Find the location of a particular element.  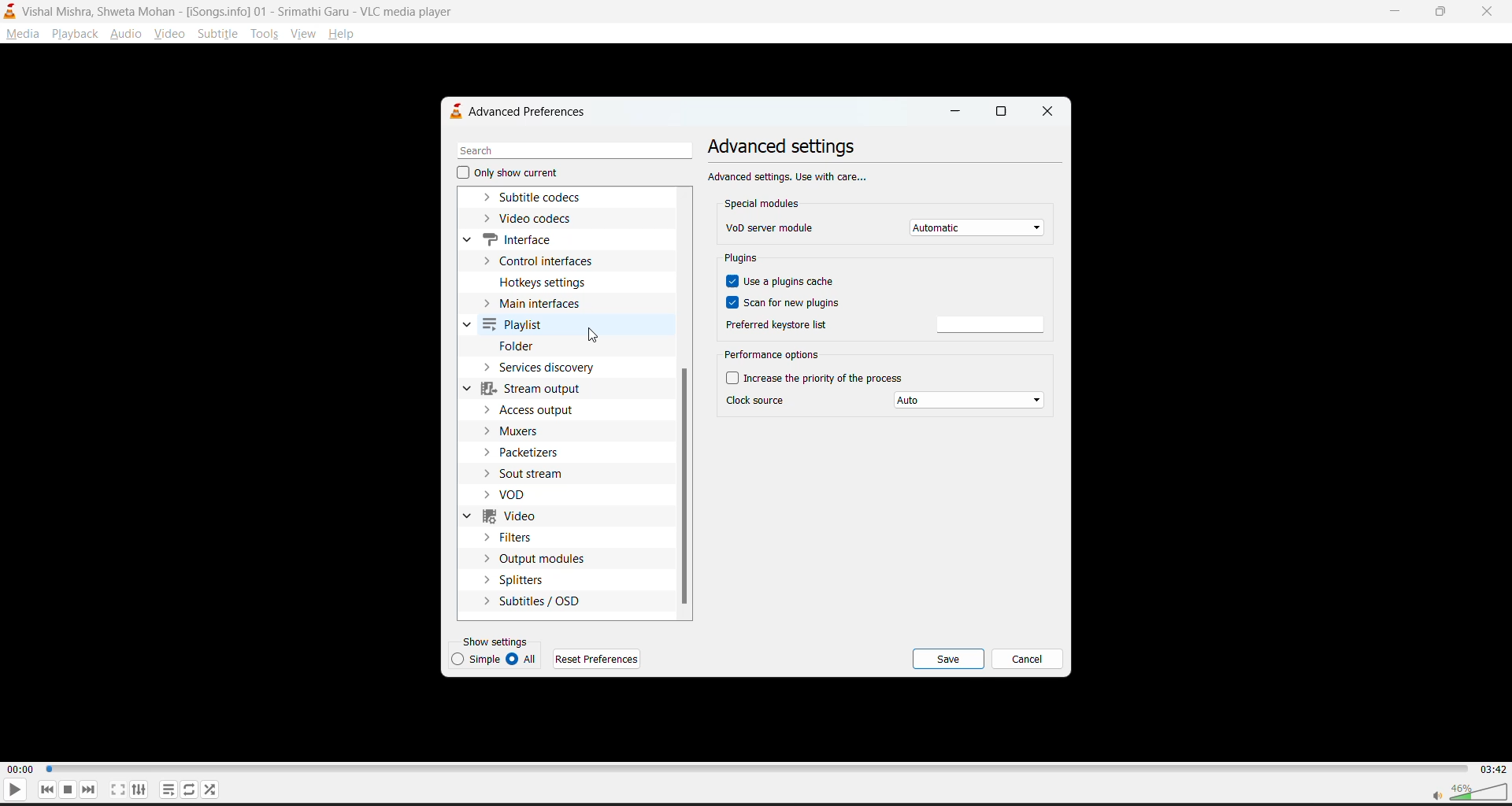

close is located at coordinates (1048, 110).